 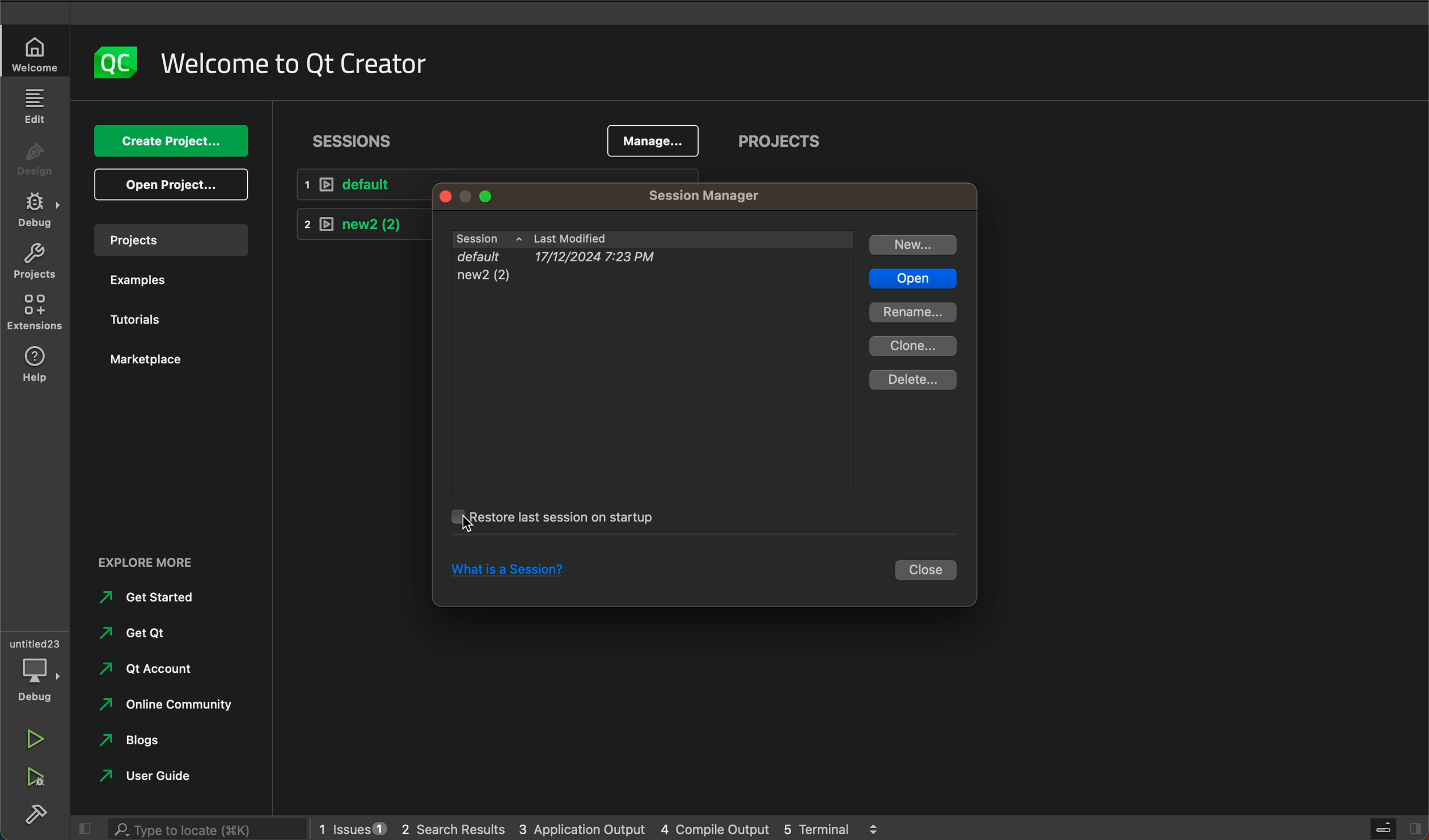 I want to click on design, so click(x=36, y=158).